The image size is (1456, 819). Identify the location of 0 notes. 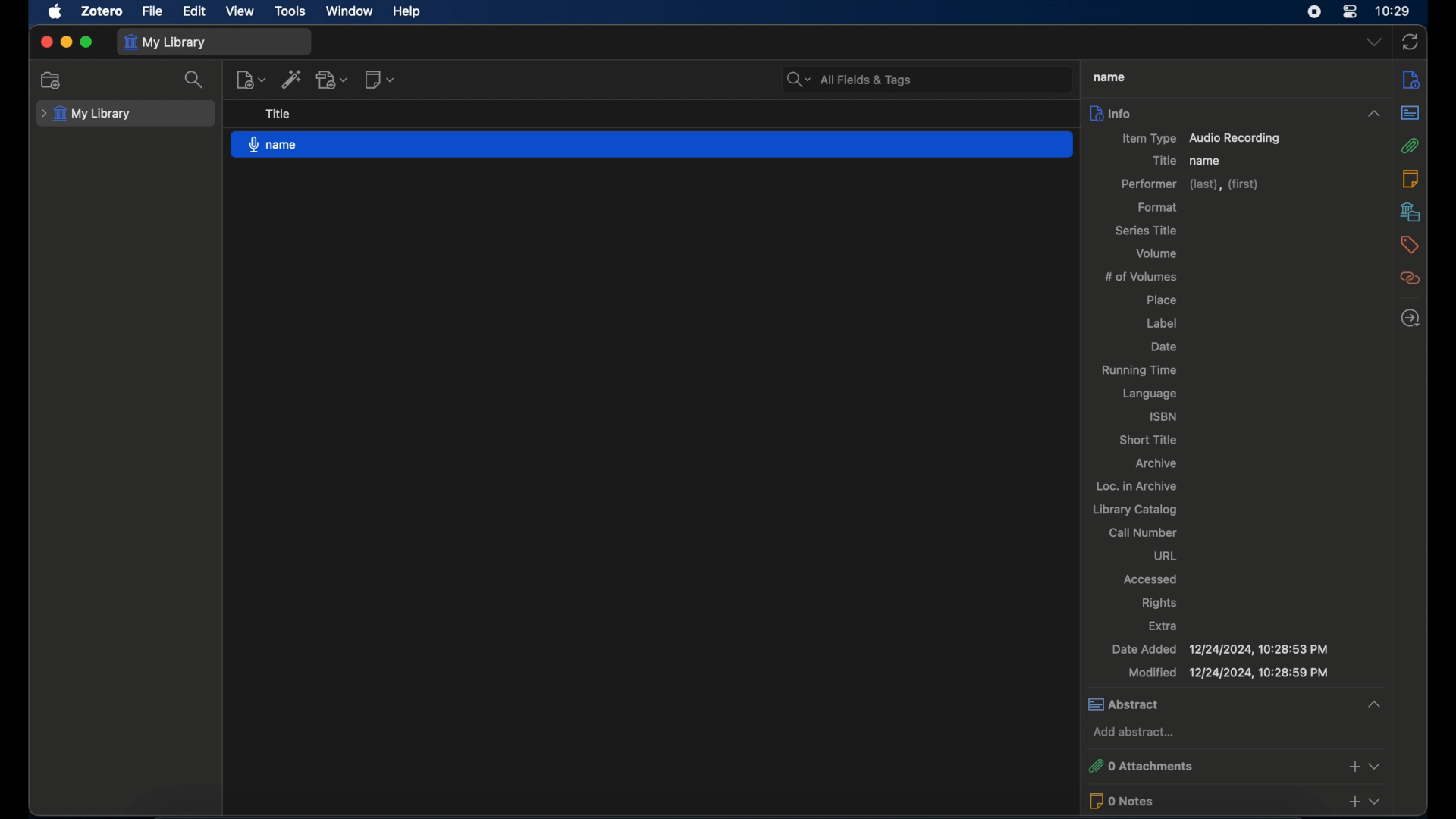
(1238, 801).